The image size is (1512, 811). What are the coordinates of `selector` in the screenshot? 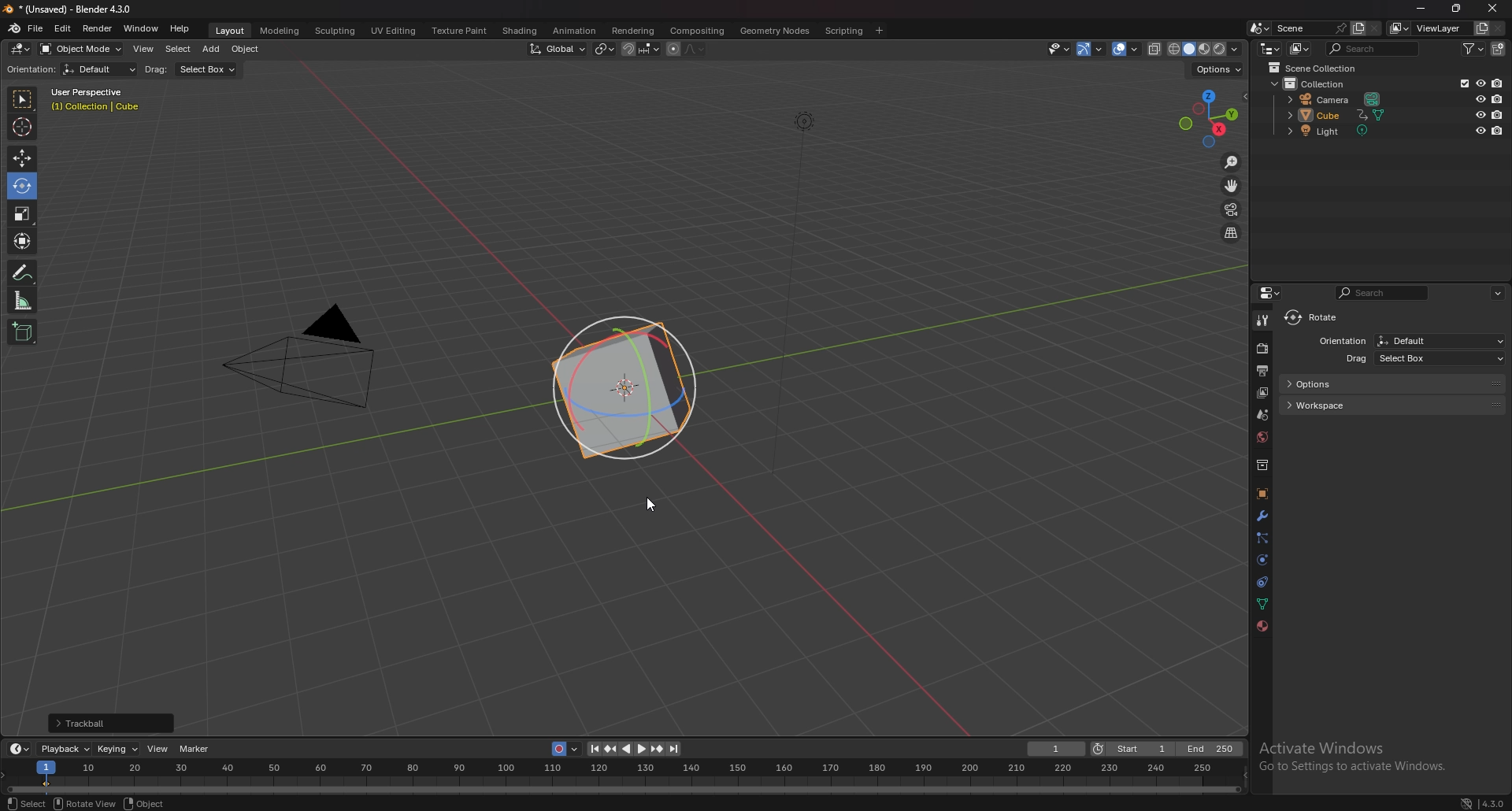 It's located at (22, 100).